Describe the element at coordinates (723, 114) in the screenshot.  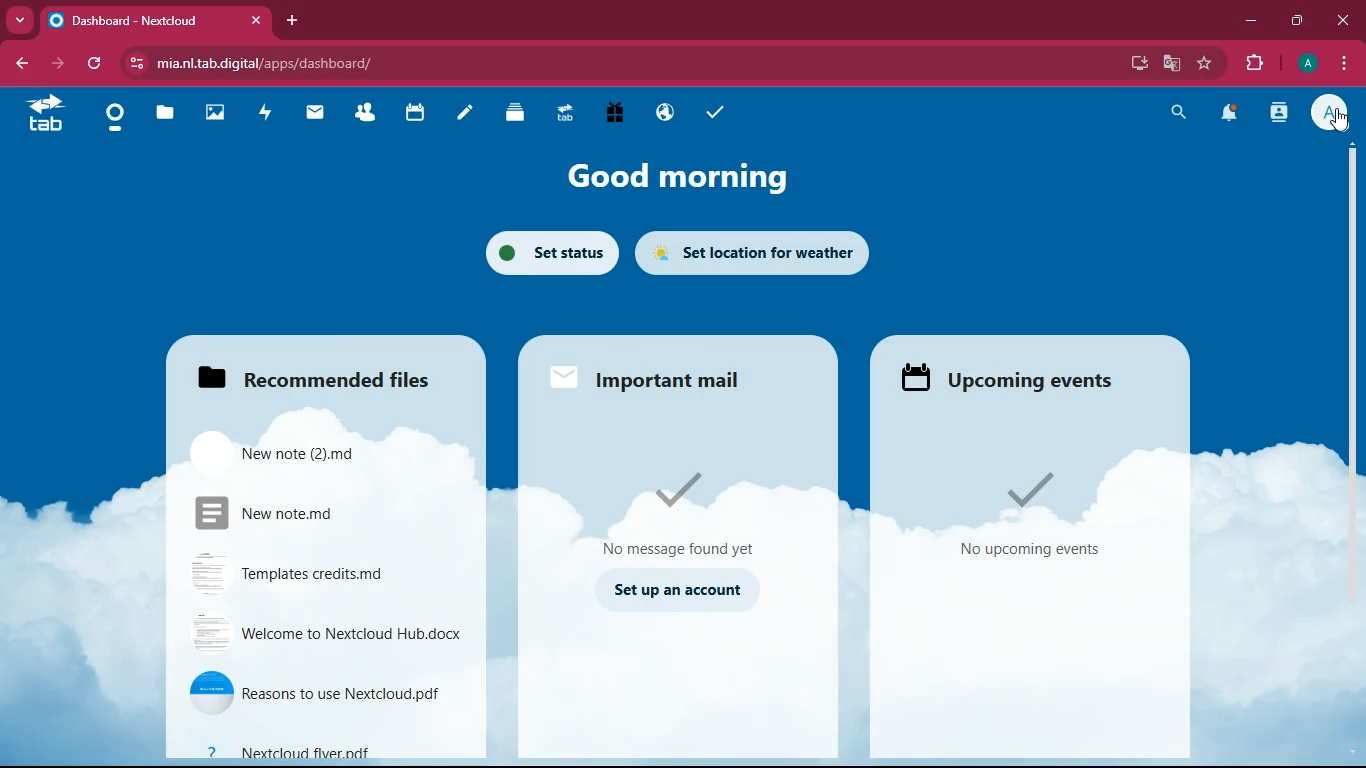
I see `tasks` at that location.